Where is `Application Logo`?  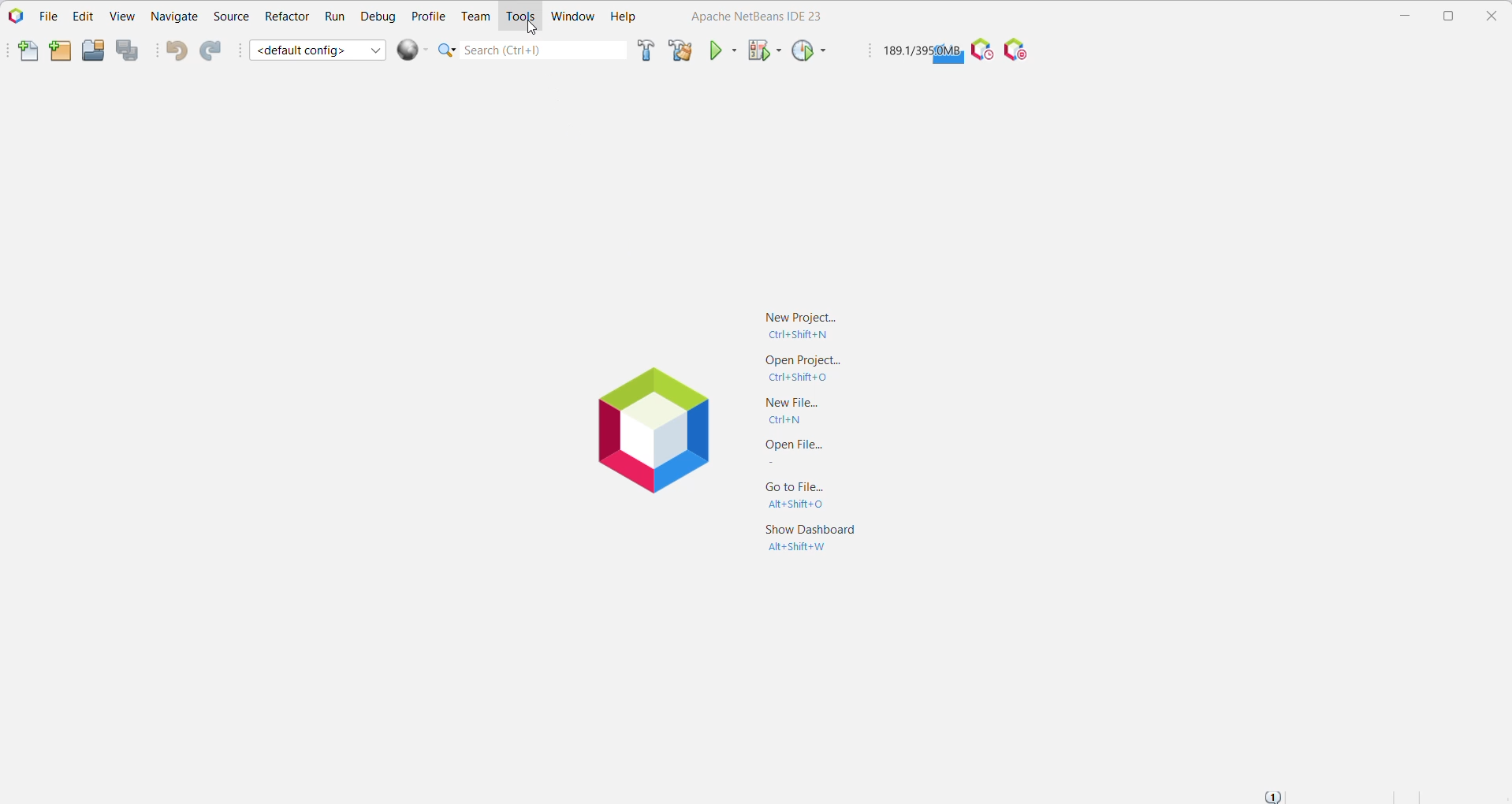 Application Logo is located at coordinates (14, 17).